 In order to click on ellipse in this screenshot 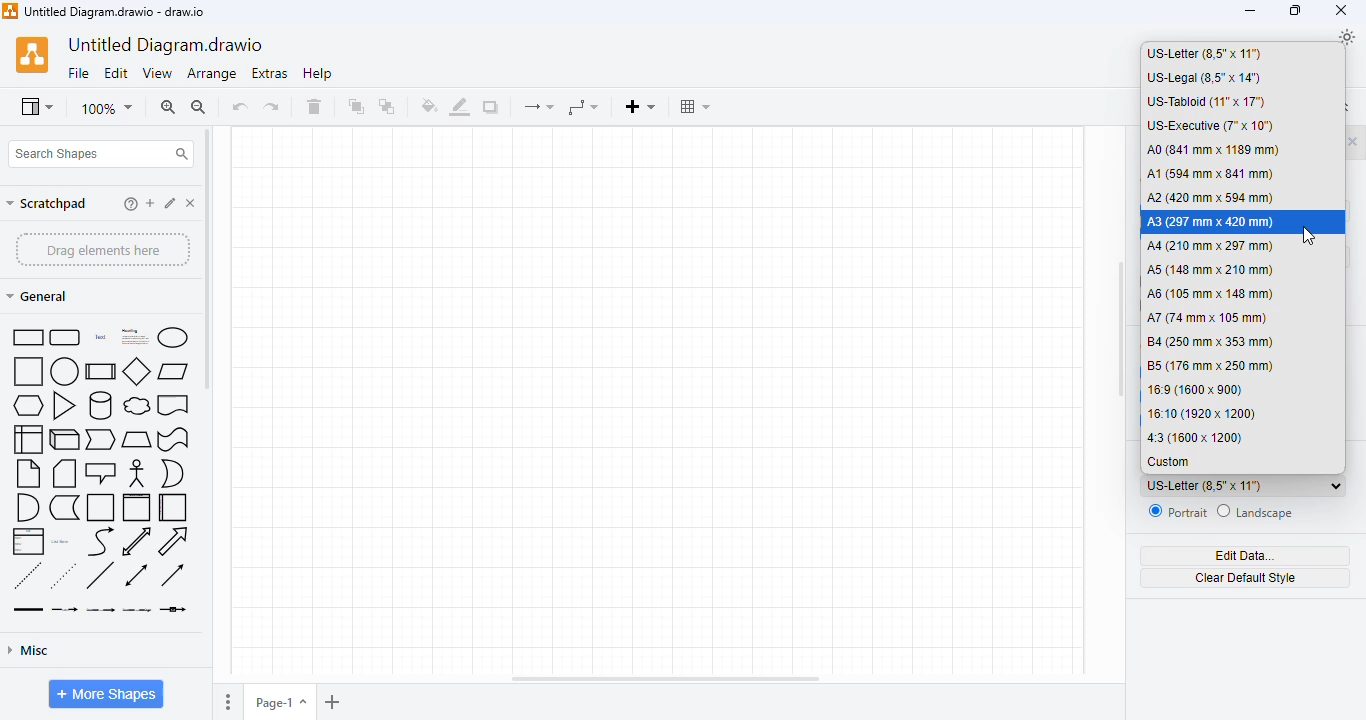, I will do `click(172, 337)`.